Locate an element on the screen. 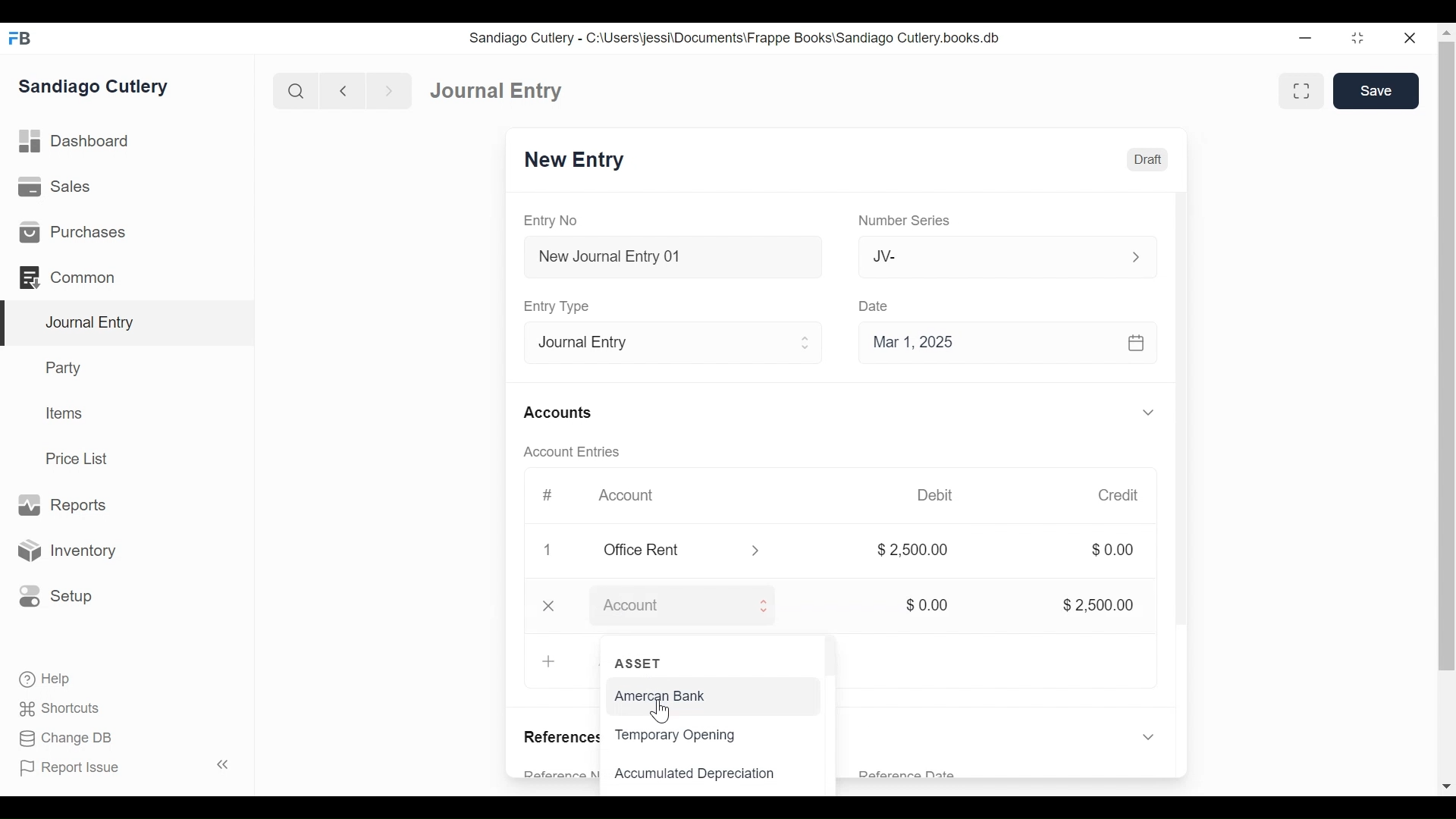  # is located at coordinates (552, 495).